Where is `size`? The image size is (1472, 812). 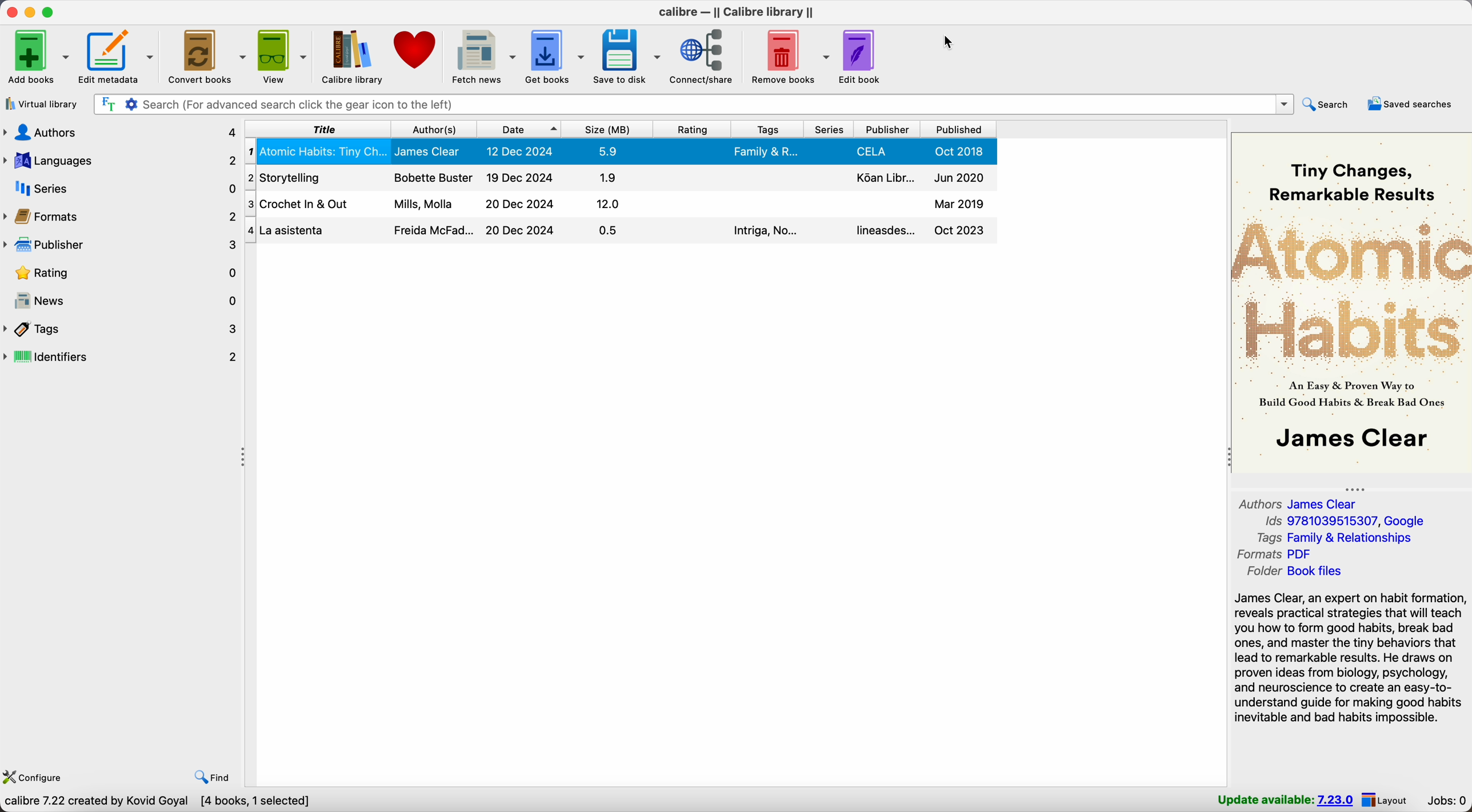 size is located at coordinates (607, 129).